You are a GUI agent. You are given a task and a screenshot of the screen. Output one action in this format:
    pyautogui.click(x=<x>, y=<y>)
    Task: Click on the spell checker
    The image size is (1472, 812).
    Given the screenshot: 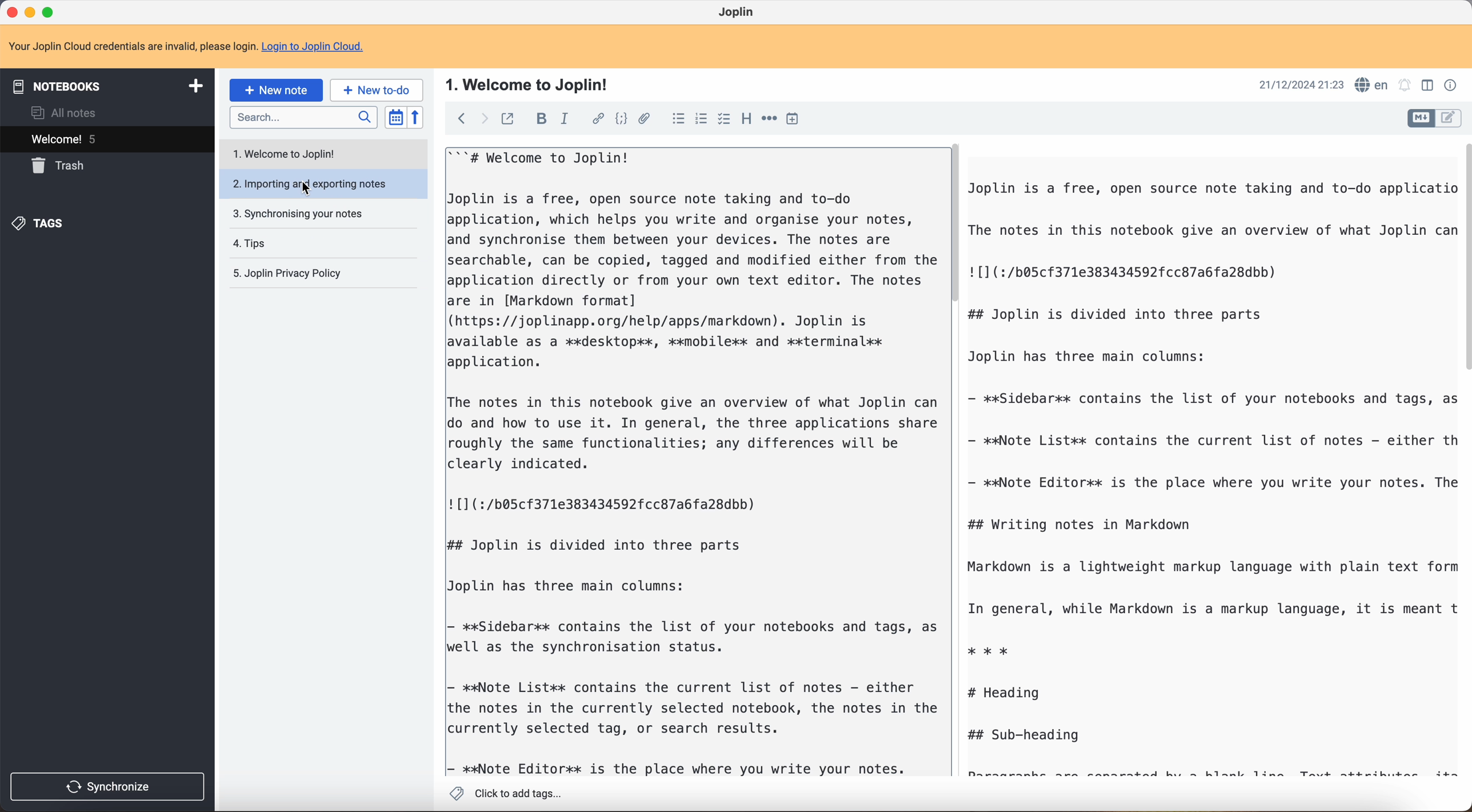 What is the action you would take?
    pyautogui.click(x=1372, y=83)
    